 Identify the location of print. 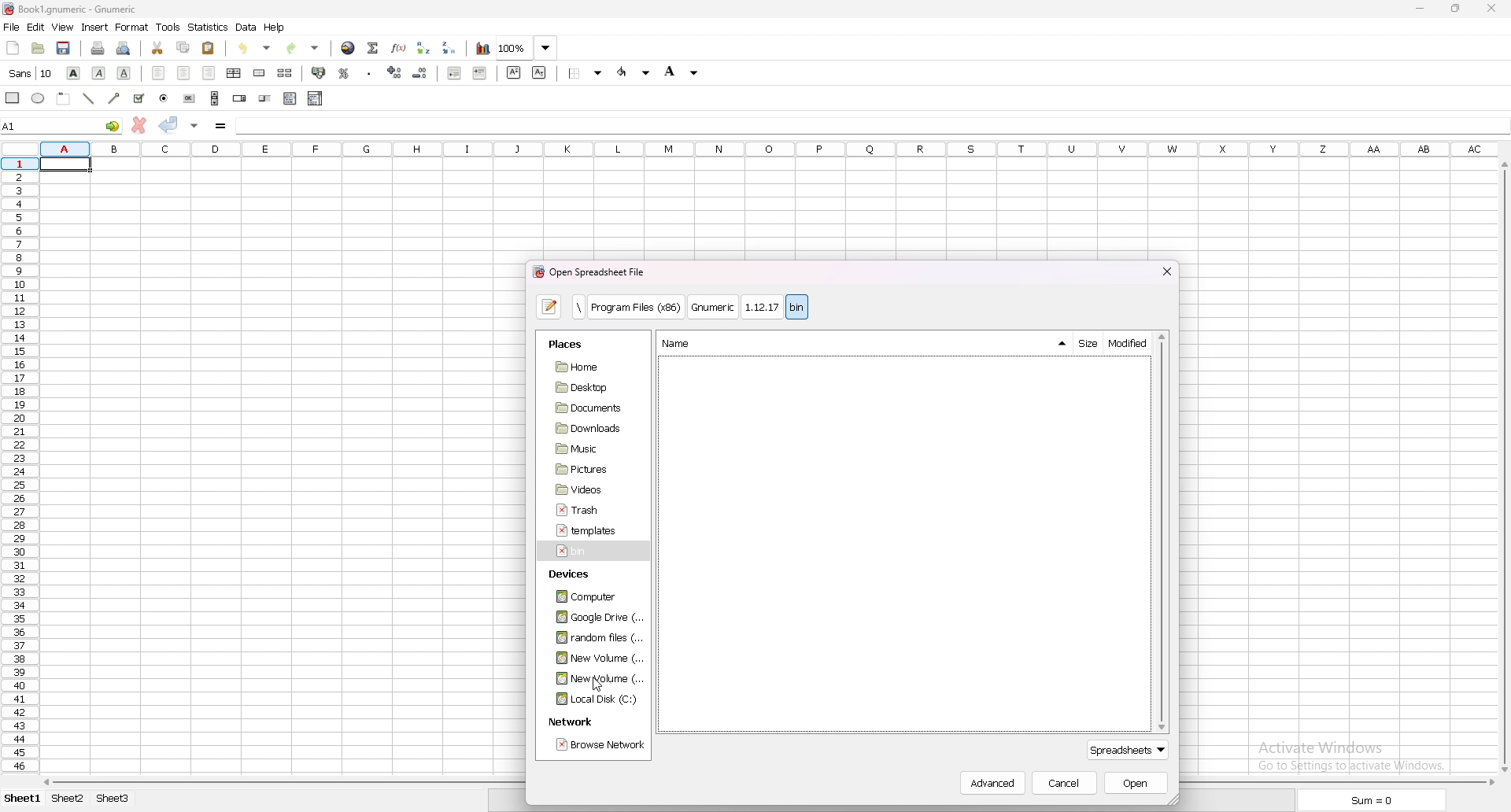
(98, 47).